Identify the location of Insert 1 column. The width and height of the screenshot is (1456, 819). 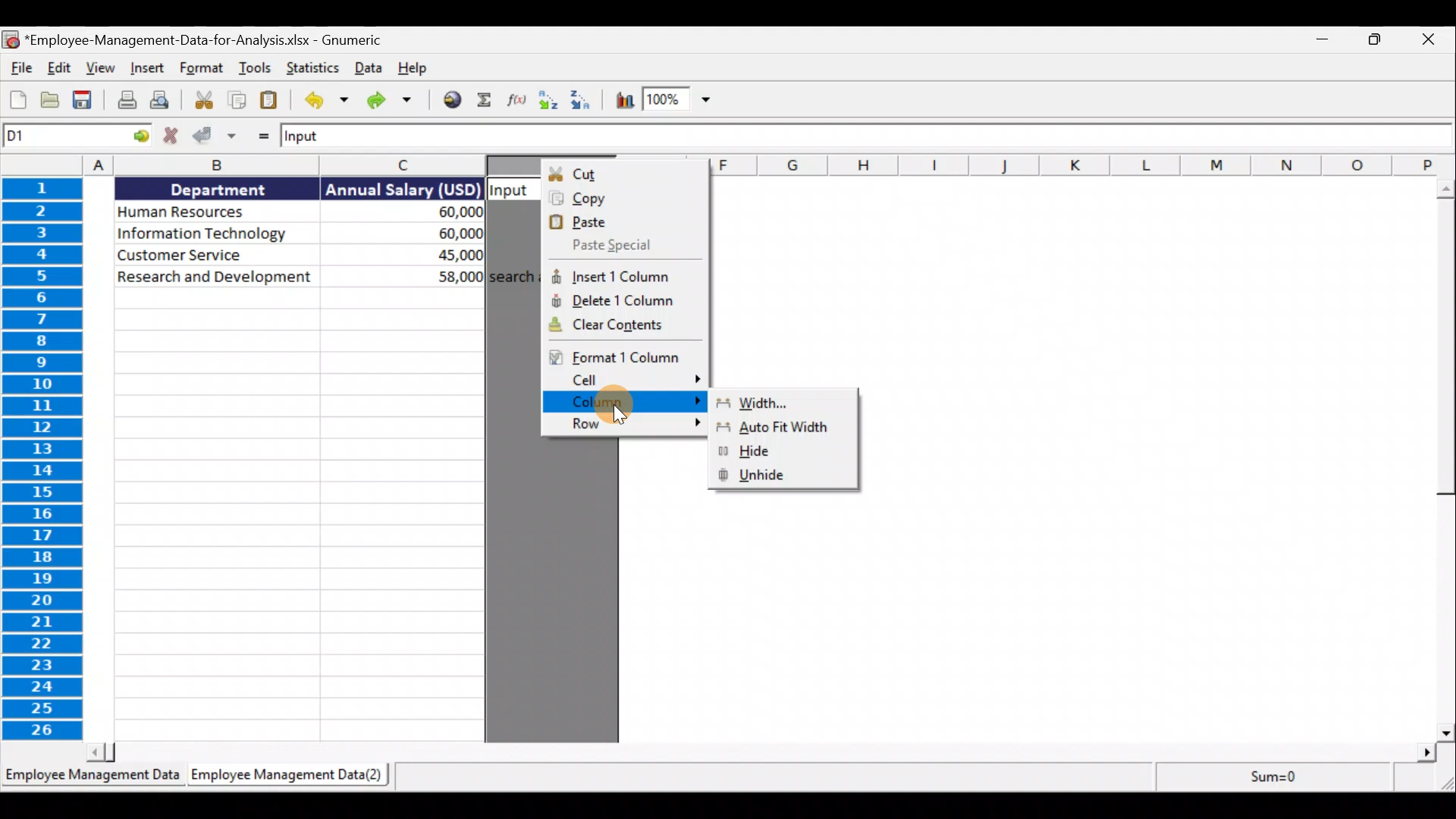
(621, 275).